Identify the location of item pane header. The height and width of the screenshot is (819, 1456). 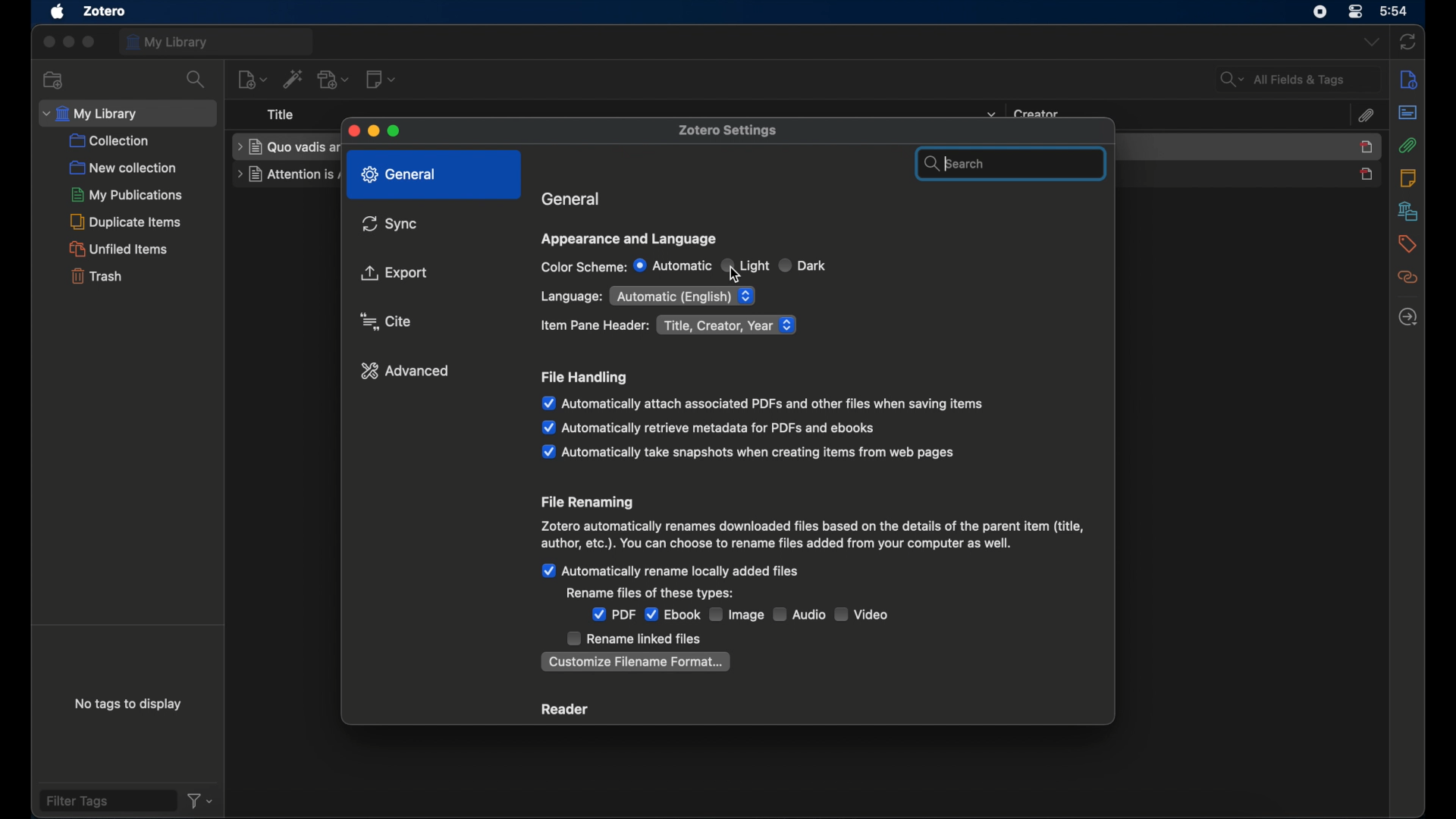
(595, 326).